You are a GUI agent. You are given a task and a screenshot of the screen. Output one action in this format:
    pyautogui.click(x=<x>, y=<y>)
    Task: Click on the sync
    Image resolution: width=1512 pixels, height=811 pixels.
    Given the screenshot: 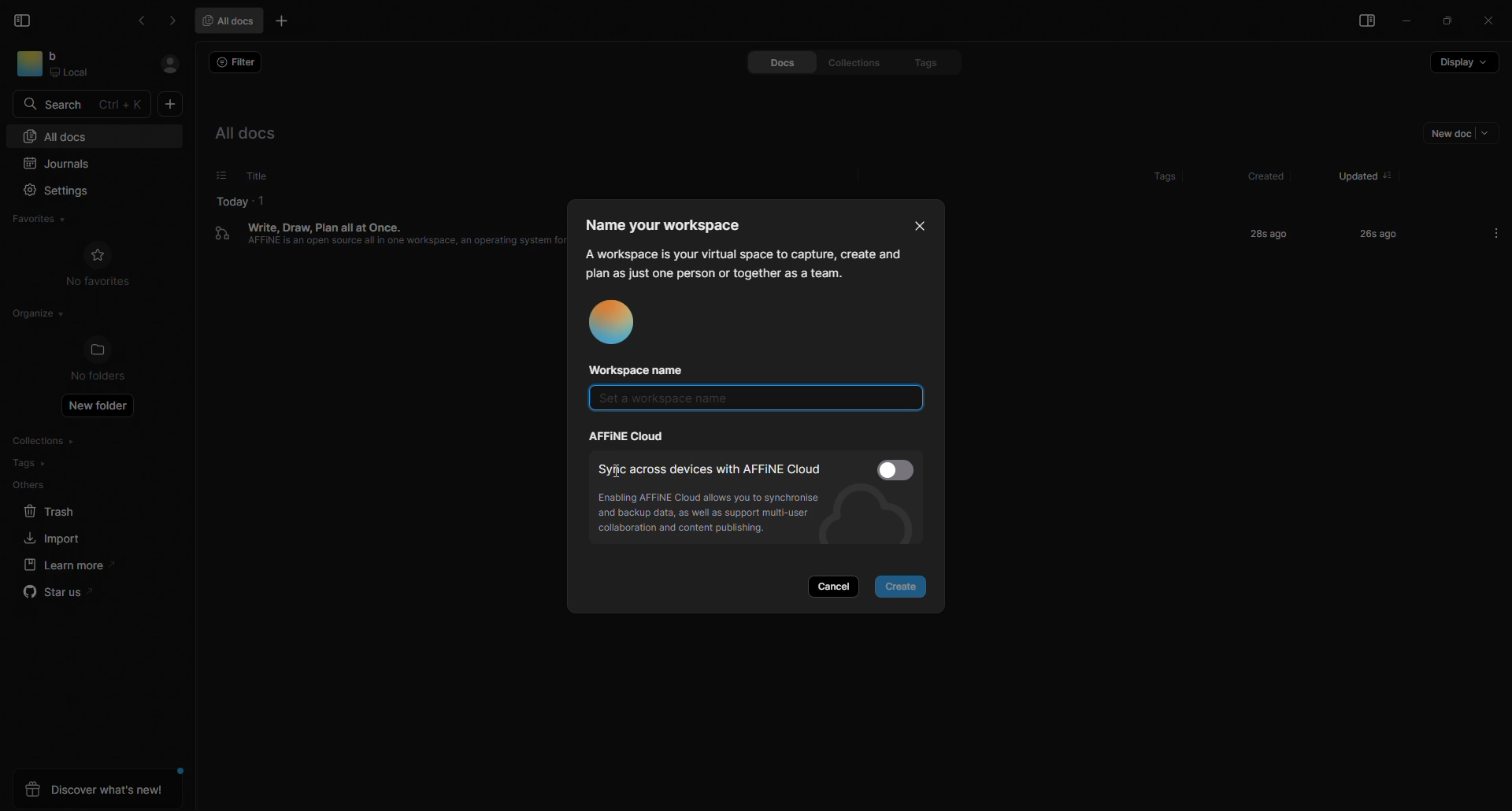 What is the action you would take?
    pyautogui.click(x=710, y=468)
    